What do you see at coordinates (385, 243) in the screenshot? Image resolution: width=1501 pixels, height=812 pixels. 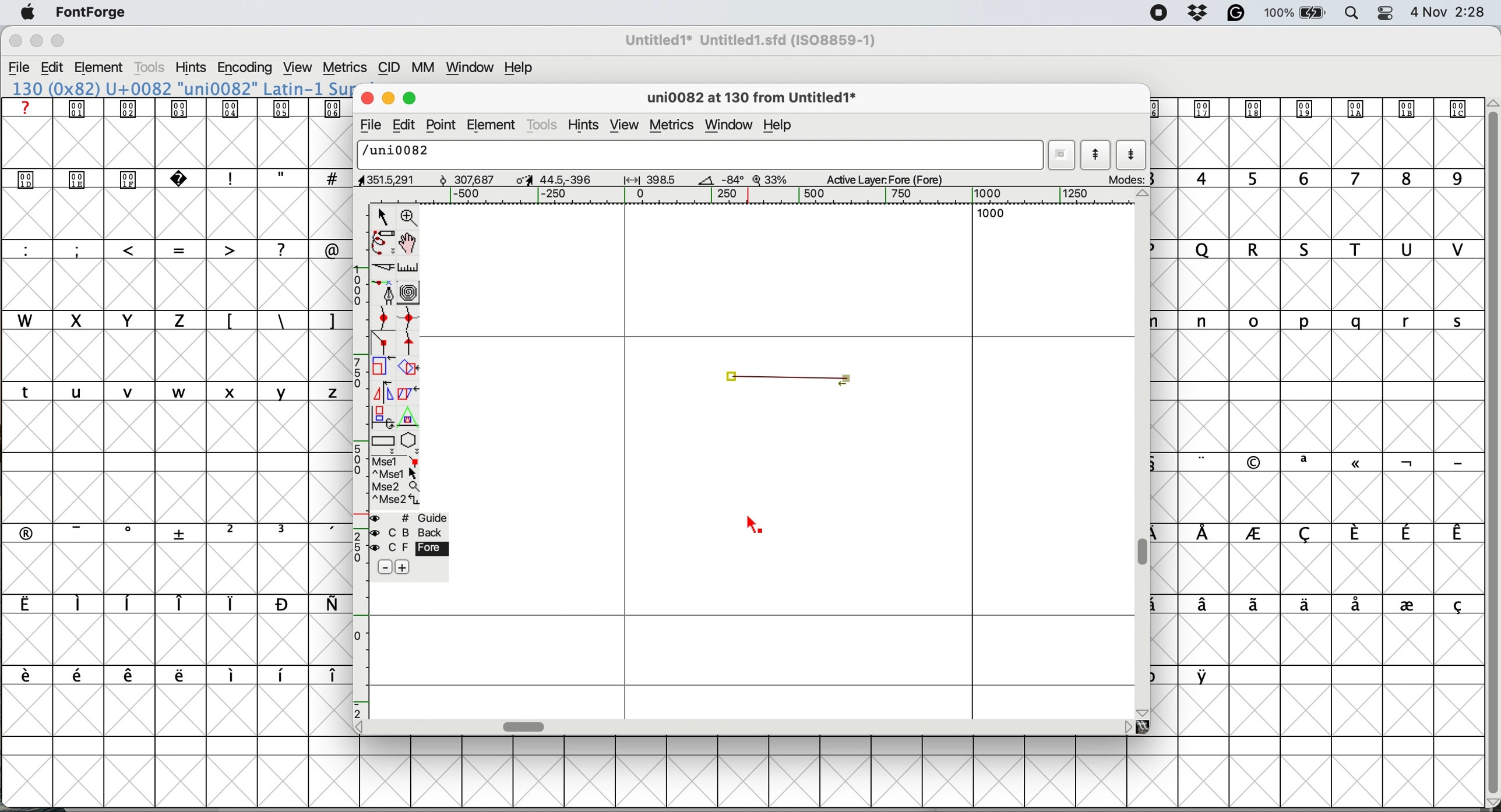 I see `freehand draw` at bounding box center [385, 243].